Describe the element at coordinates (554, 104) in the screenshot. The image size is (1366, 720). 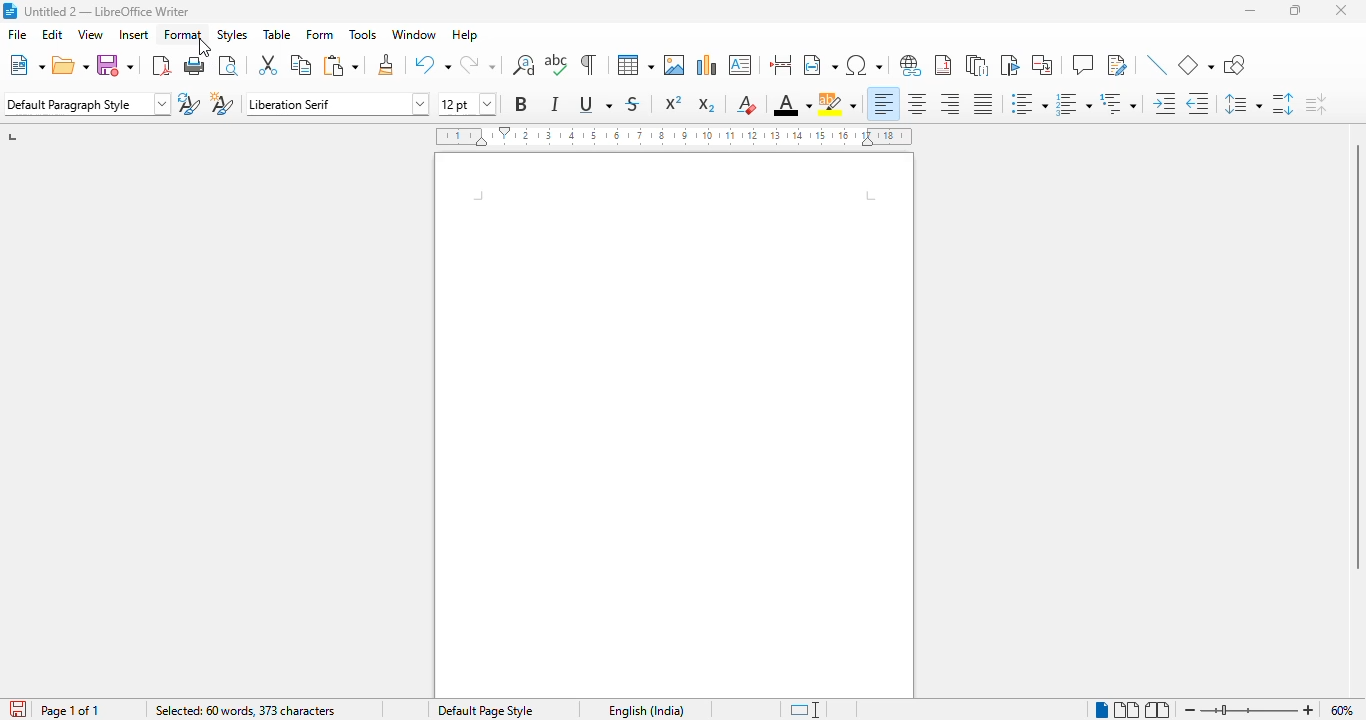
I see `italic` at that location.